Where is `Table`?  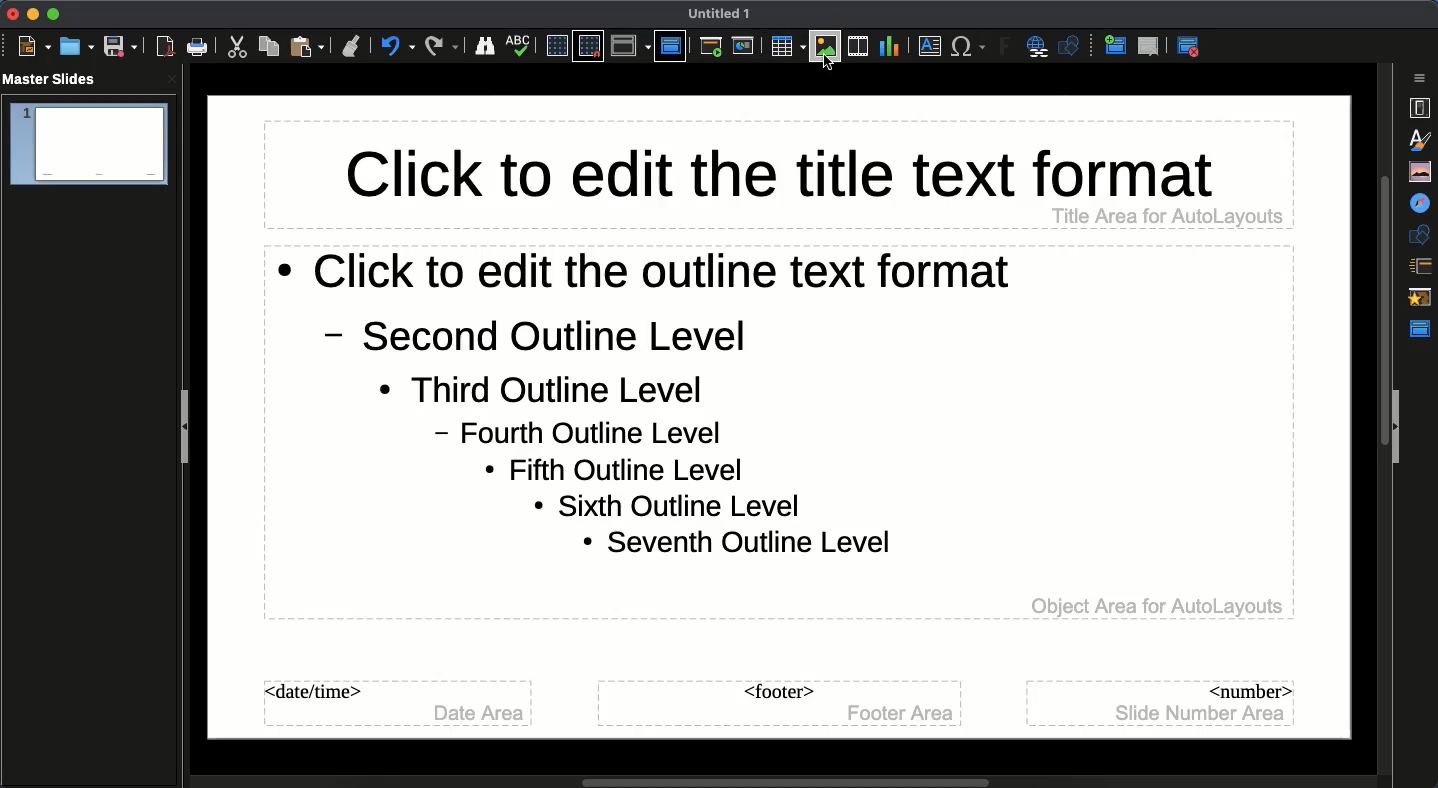
Table is located at coordinates (786, 46).